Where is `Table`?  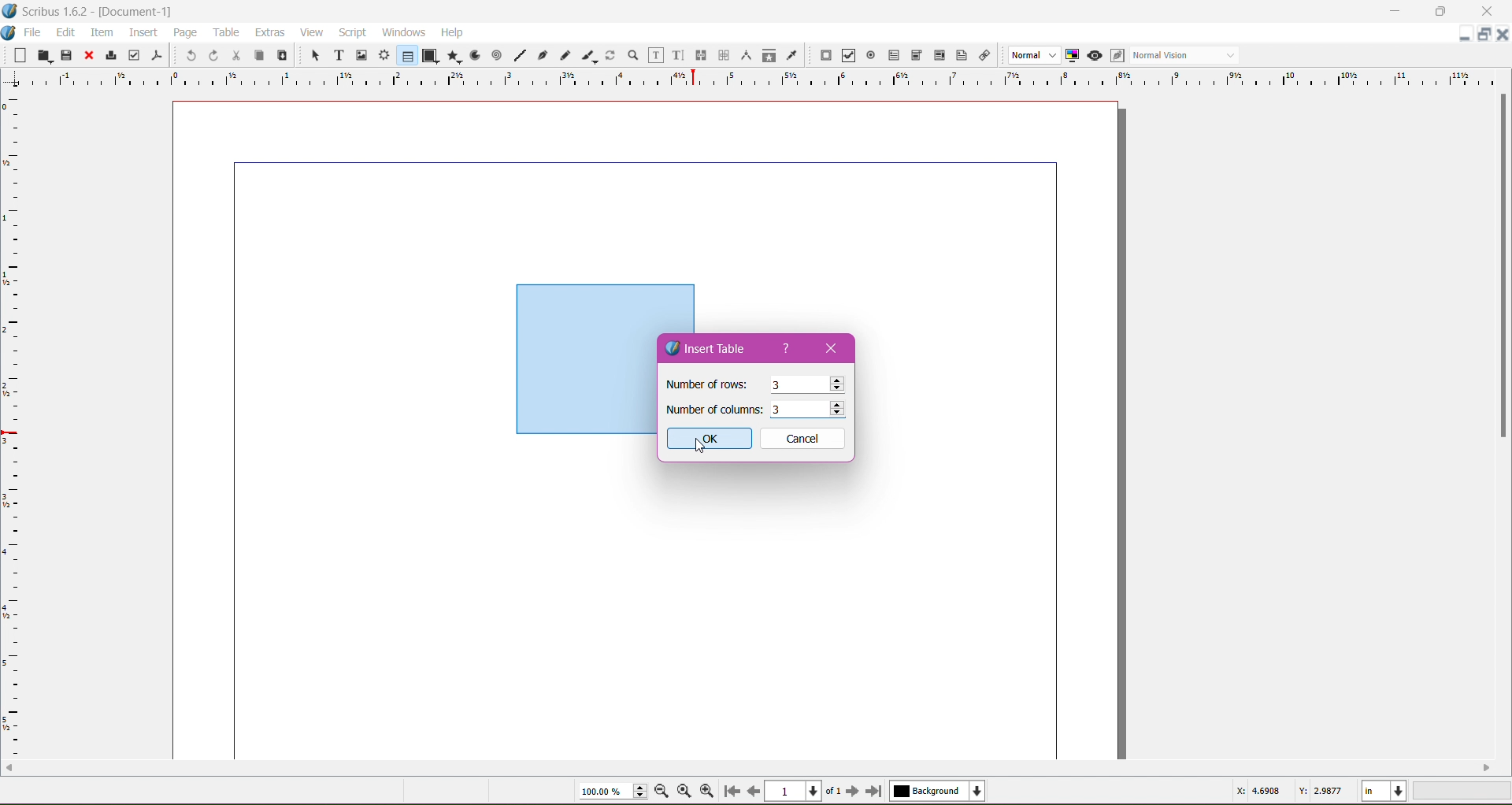 Table is located at coordinates (228, 32).